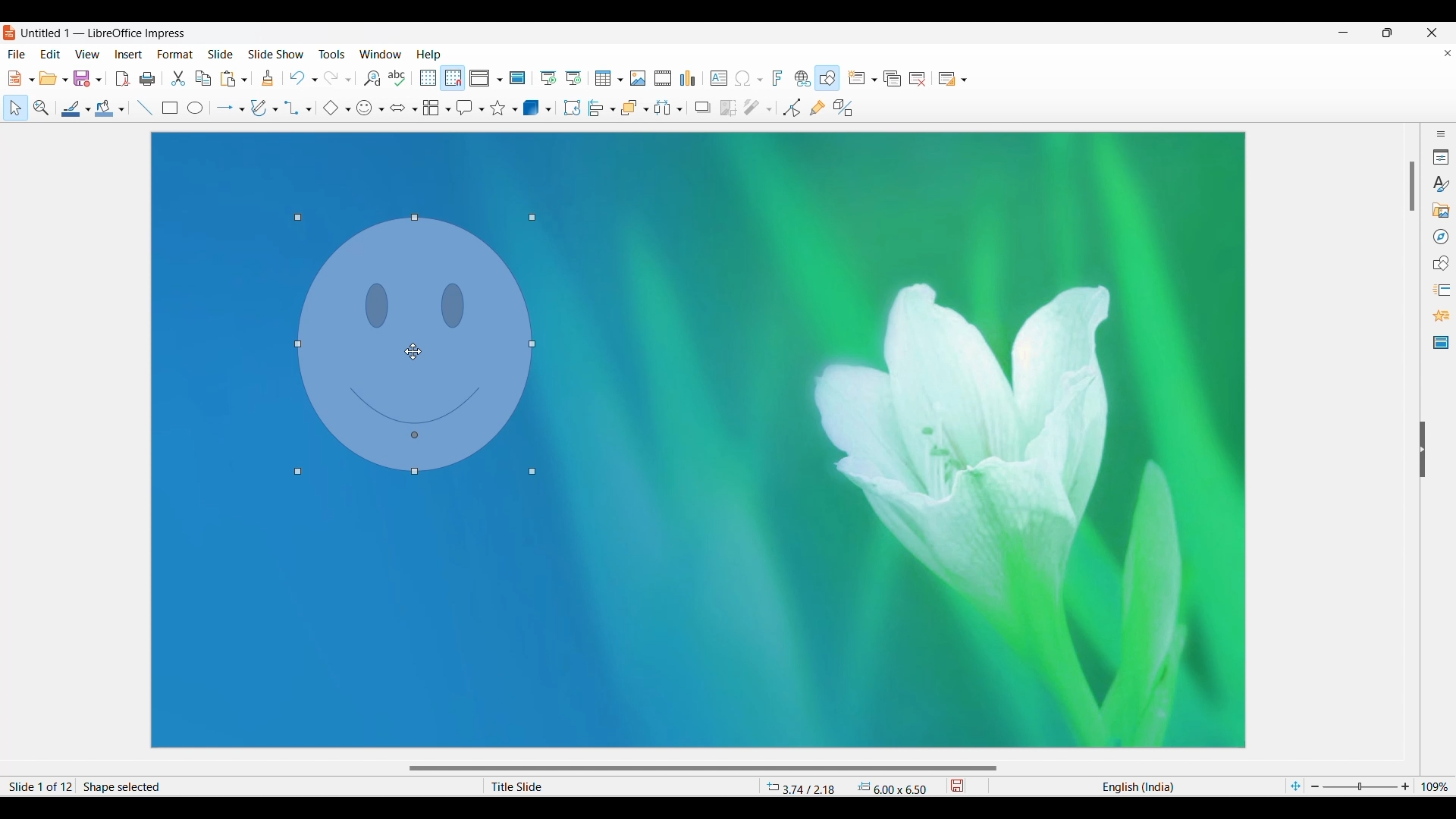  What do you see at coordinates (195, 107) in the screenshot?
I see `Ellipse` at bounding box center [195, 107].